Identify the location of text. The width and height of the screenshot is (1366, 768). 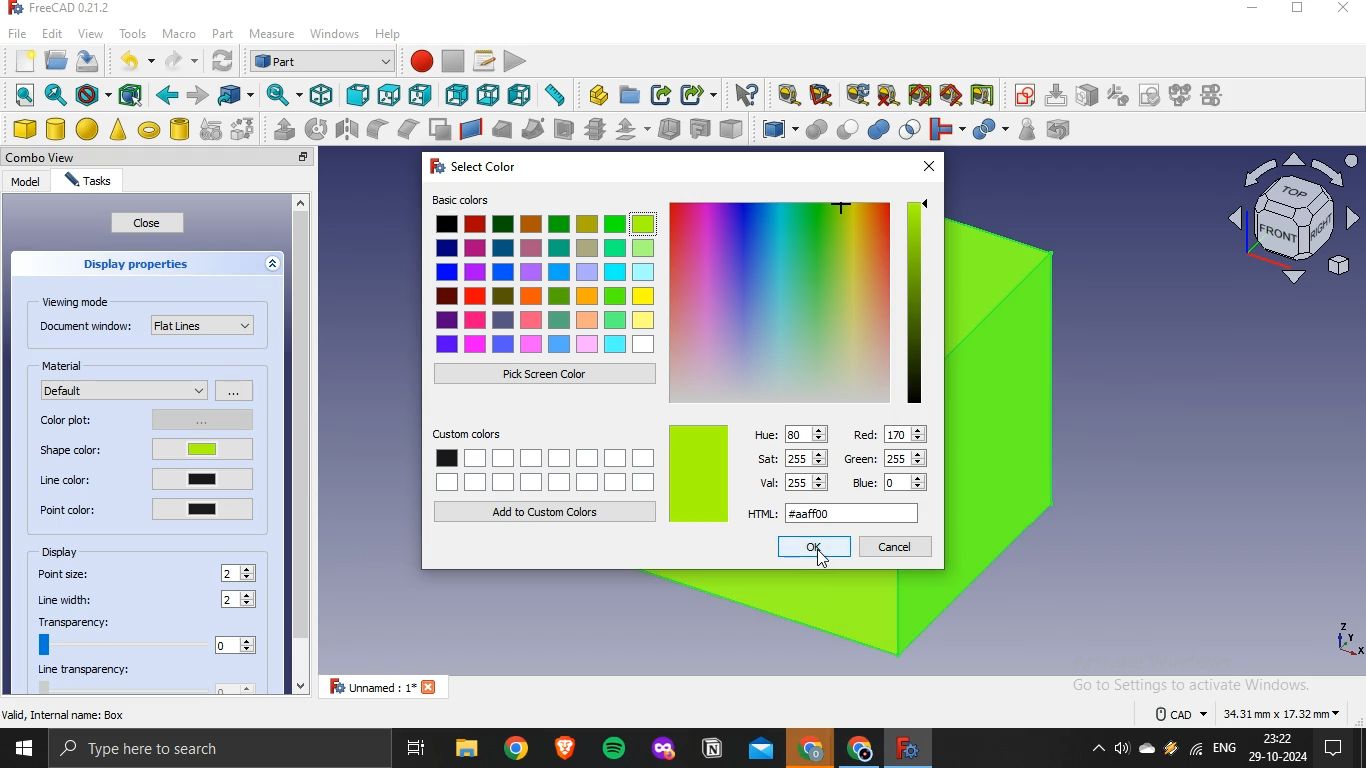
(64, 9).